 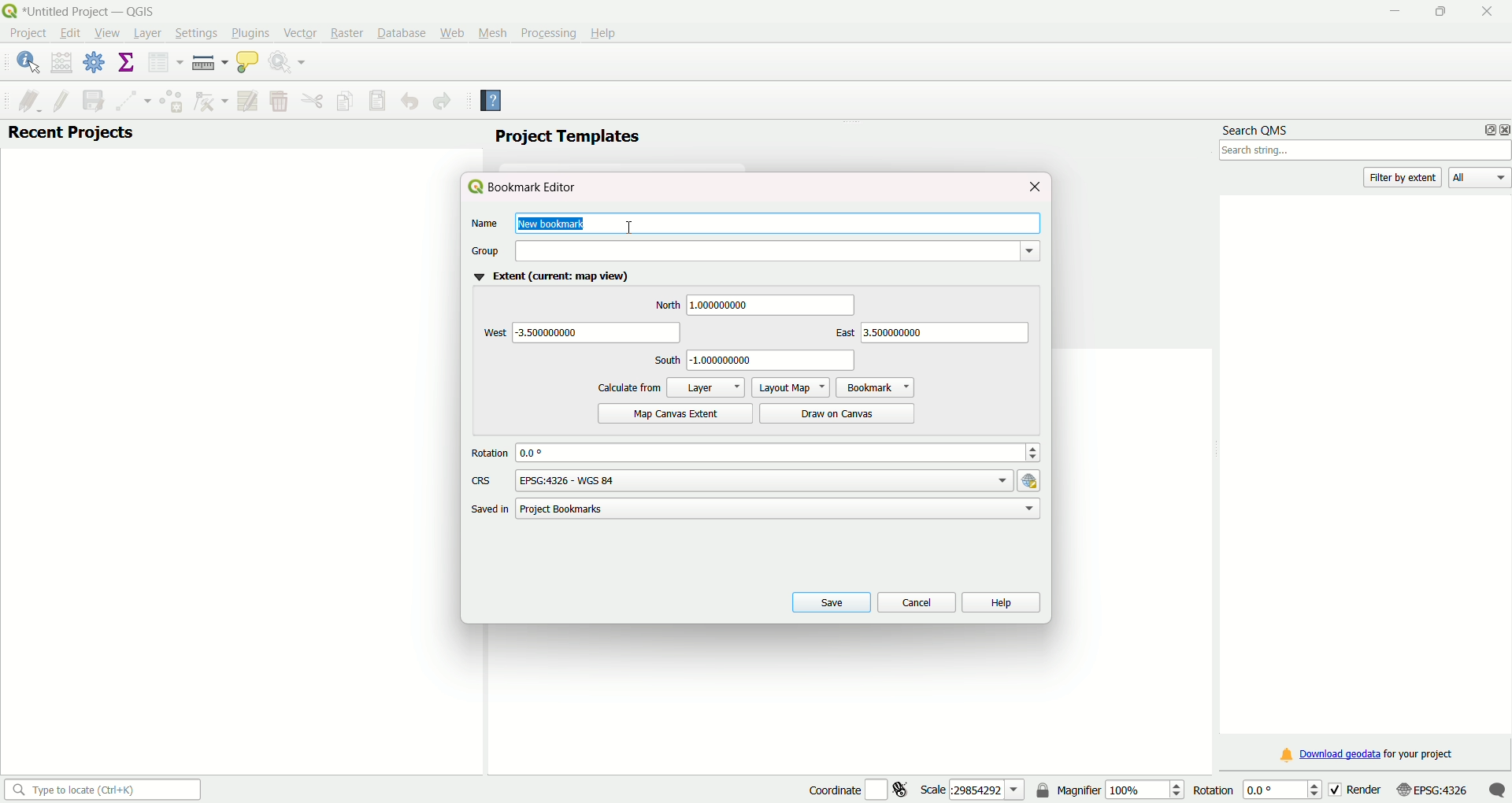 I want to click on Settings, so click(x=193, y=33).